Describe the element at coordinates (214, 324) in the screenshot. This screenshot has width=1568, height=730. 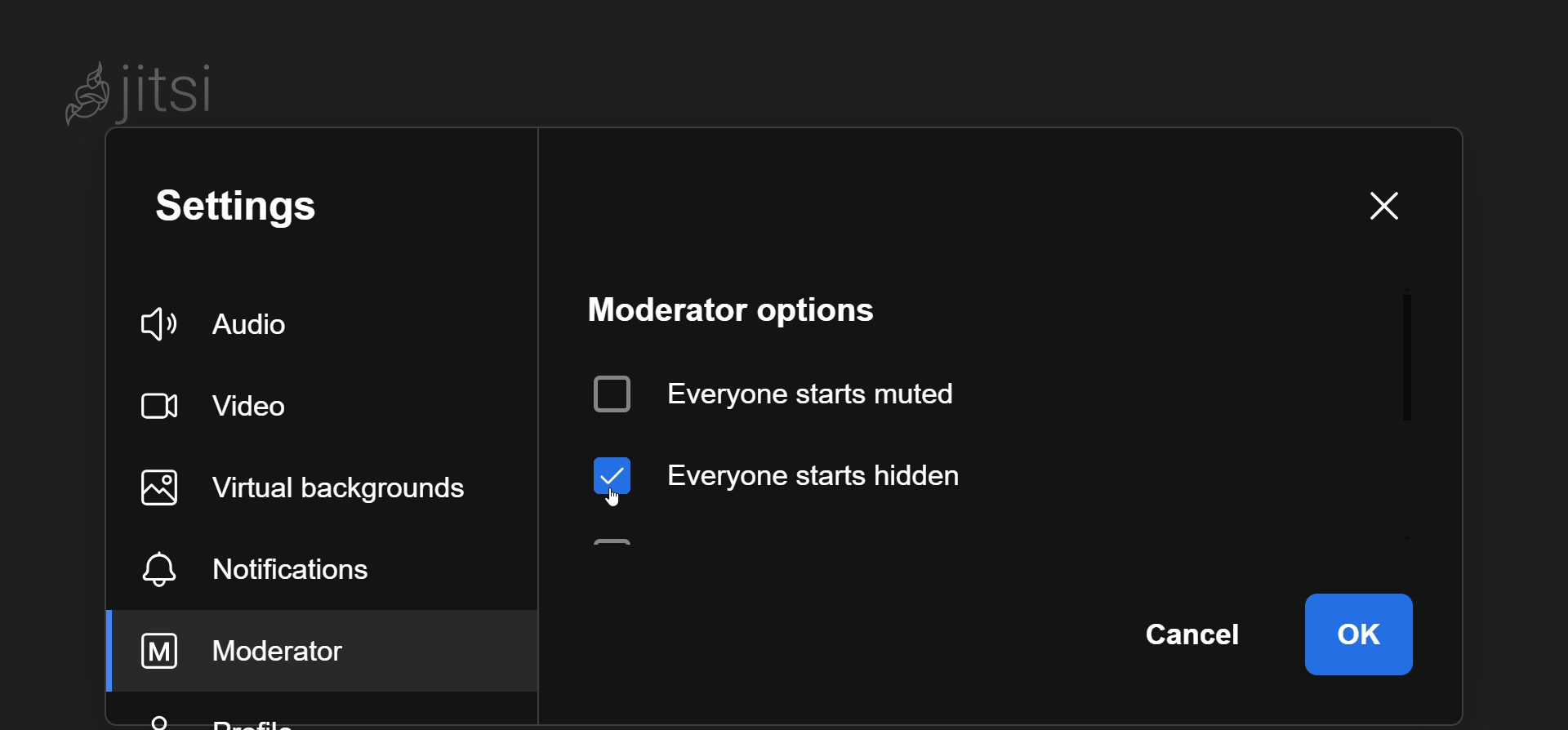
I see `audio` at that location.